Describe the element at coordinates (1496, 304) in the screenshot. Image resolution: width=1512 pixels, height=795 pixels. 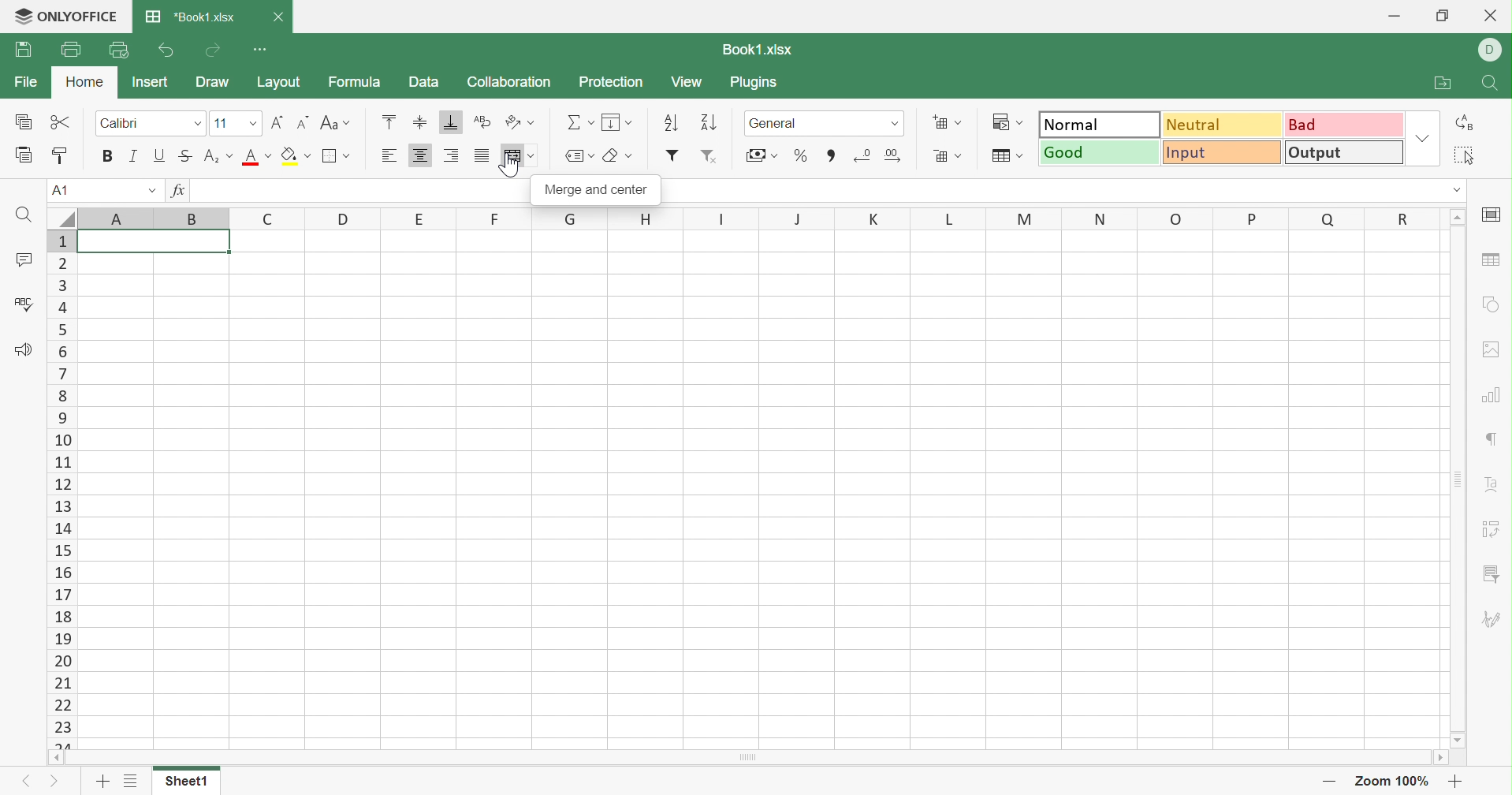
I see `Shape settings` at that location.